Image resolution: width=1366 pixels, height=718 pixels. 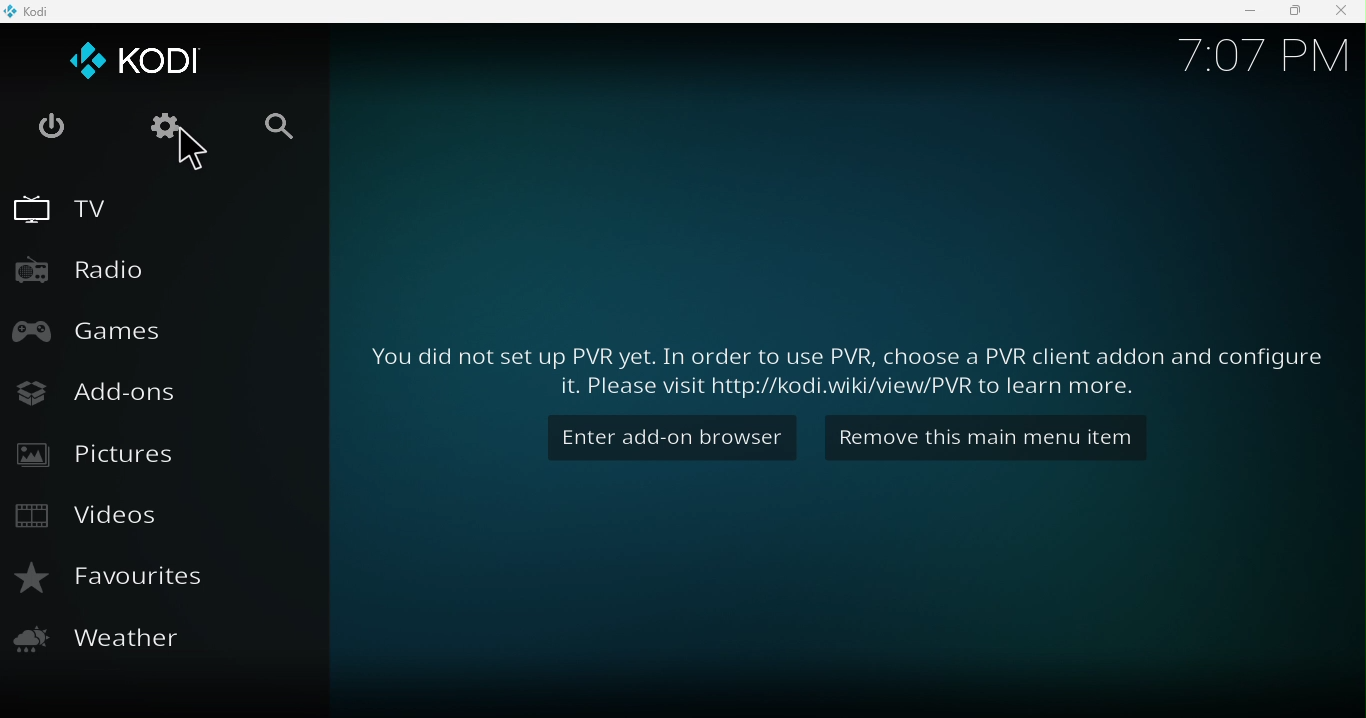 I want to click on Close, so click(x=1343, y=13).